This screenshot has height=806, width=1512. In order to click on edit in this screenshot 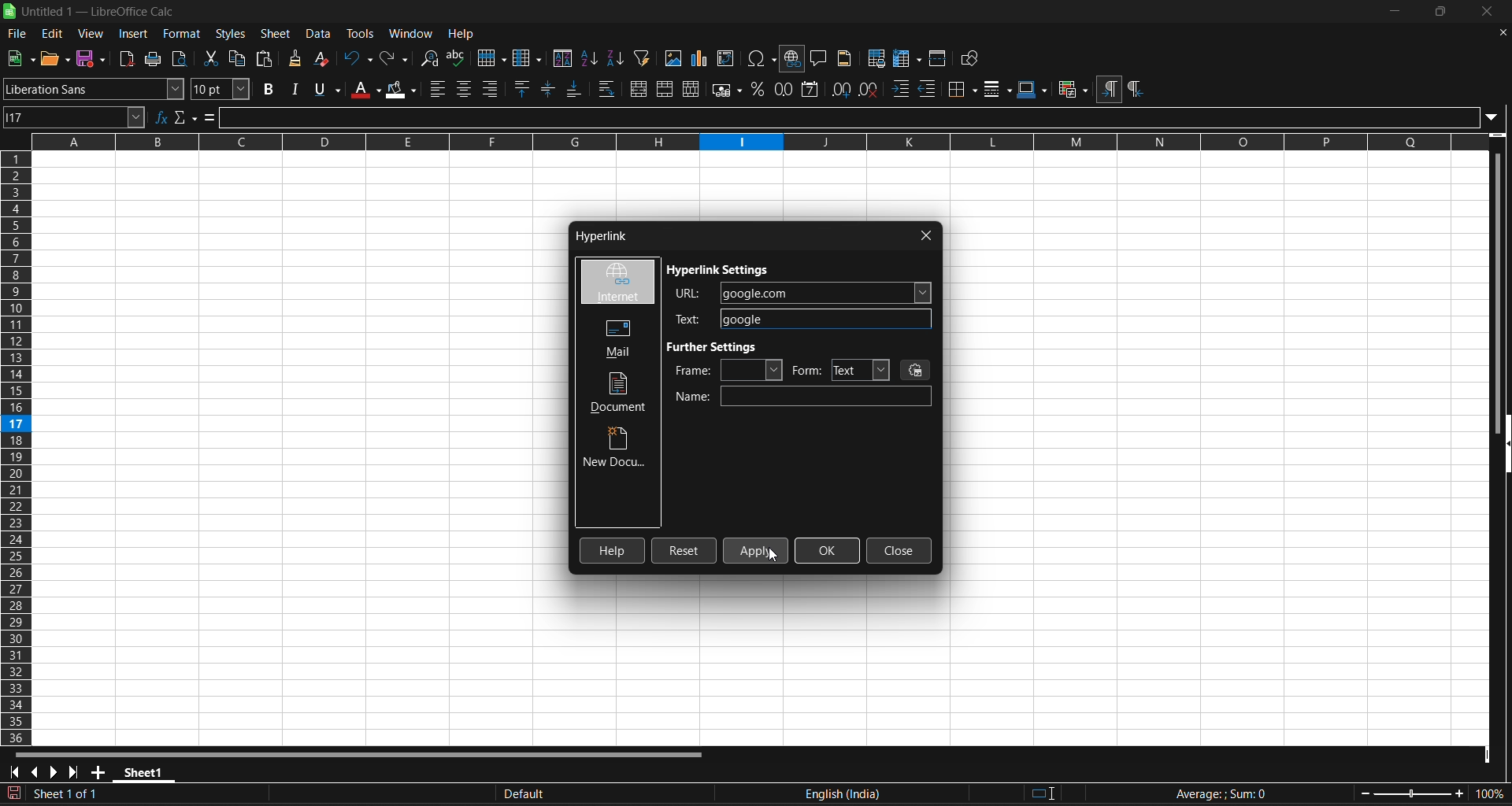, I will do `click(53, 34)`.